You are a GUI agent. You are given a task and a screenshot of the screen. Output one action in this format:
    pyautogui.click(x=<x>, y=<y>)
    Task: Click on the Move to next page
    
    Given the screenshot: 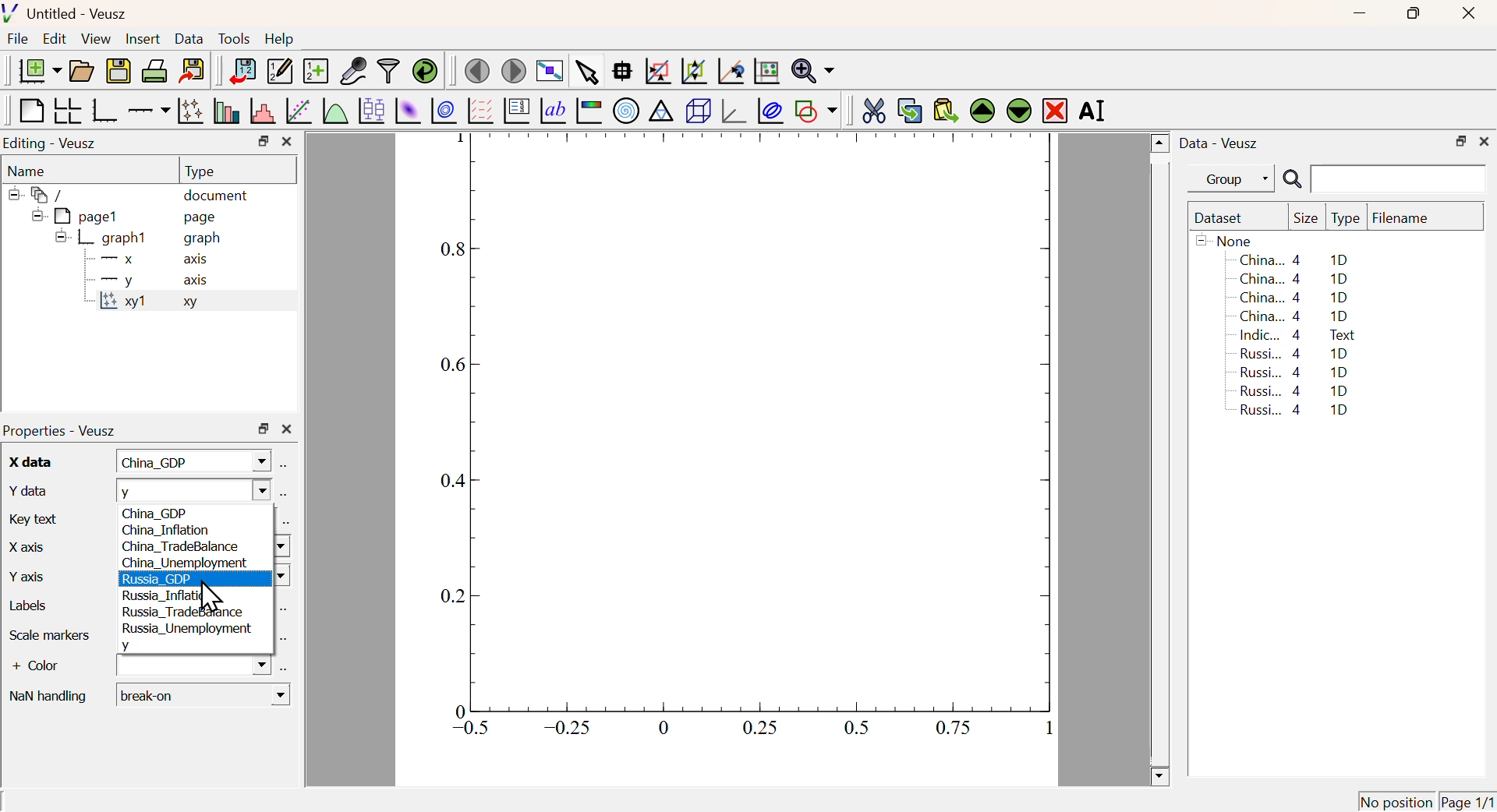 What is the action you would take?
    pyautogui.click(x=515, y=71)
    